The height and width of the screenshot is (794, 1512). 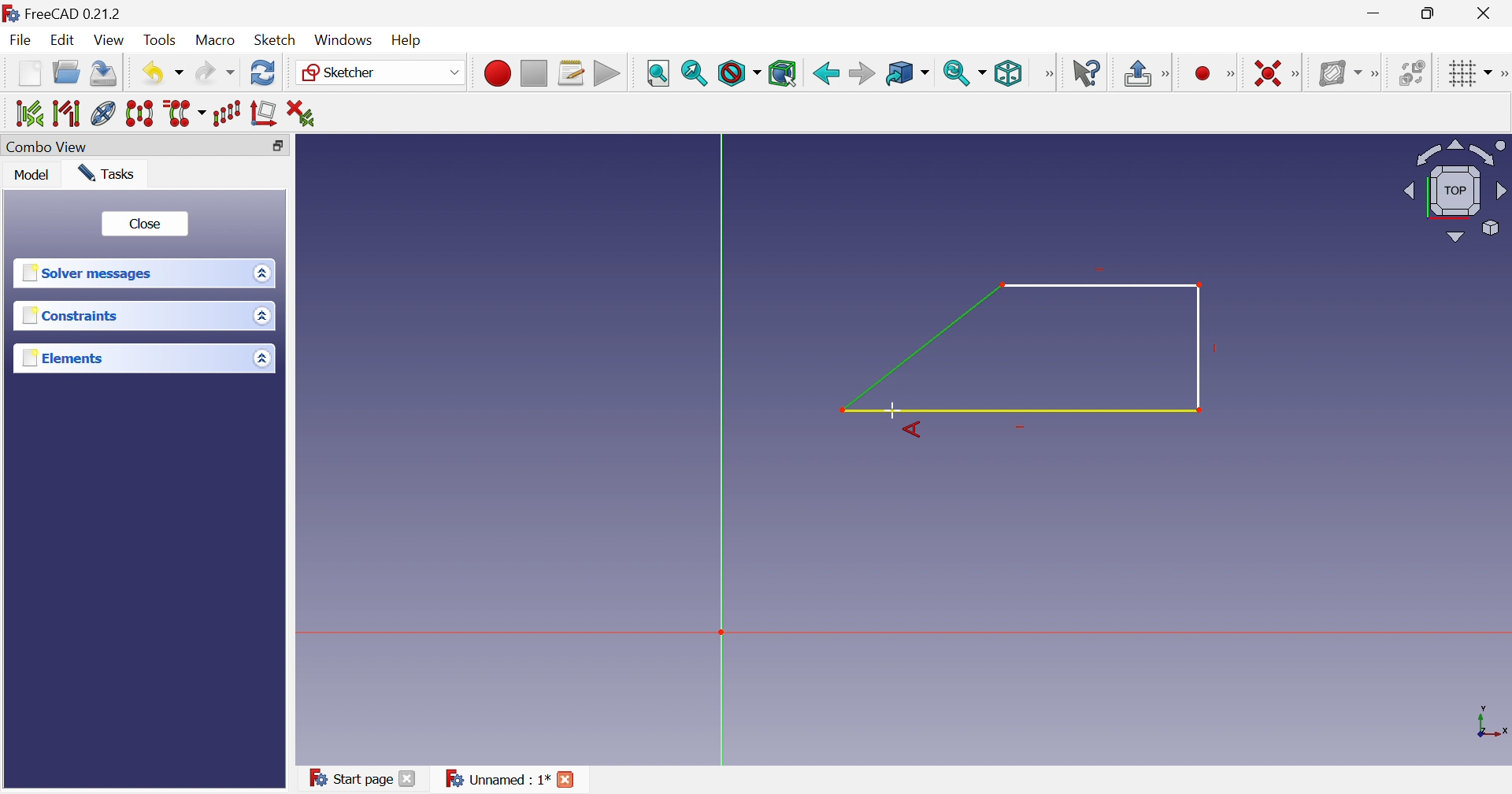 What do you see at coordinates (162, 39) in the screenshot?
I see `Tools` at bounding box center [162, 39].